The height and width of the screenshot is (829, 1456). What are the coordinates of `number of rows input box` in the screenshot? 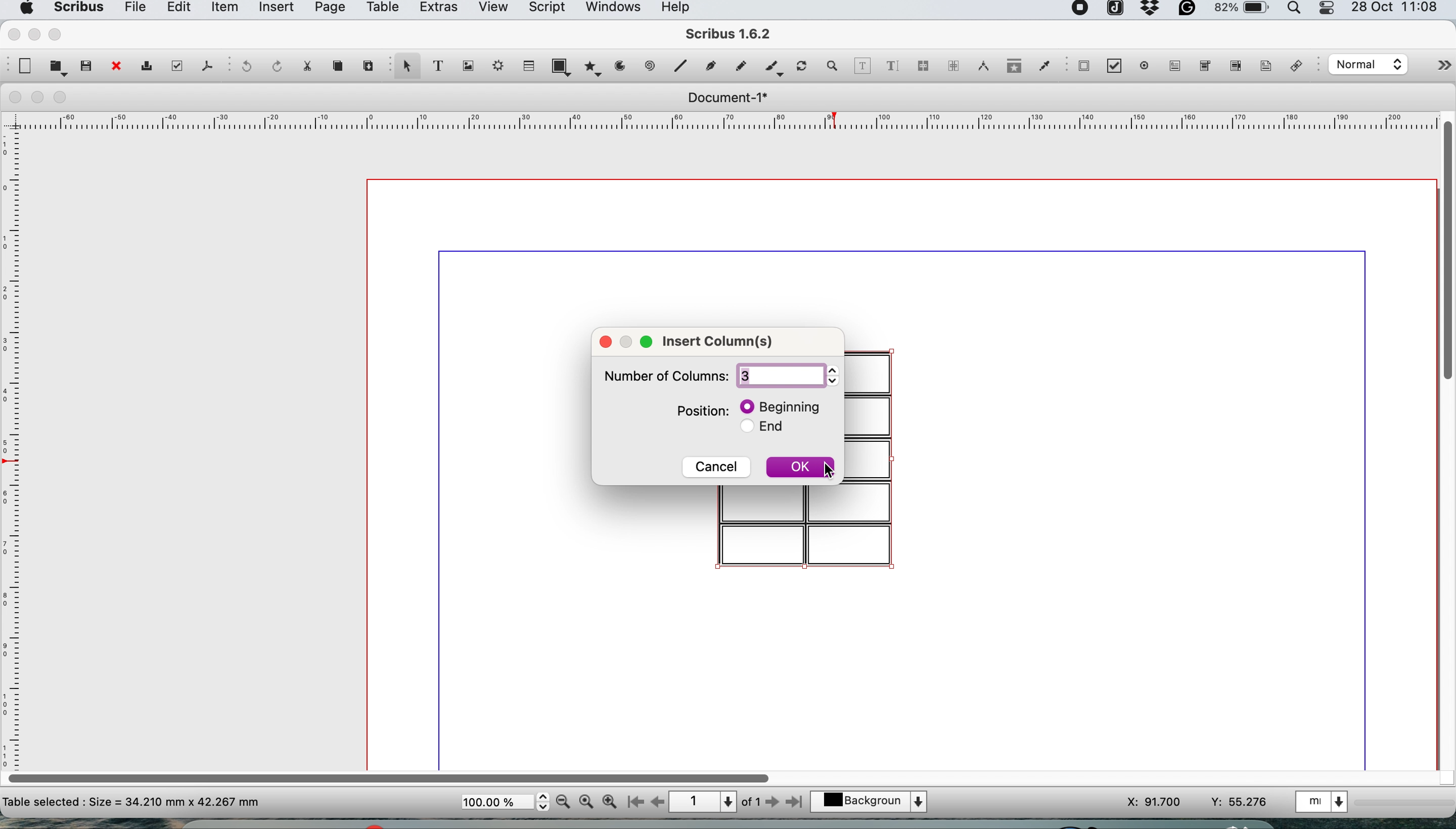 It's located at (775, 376).